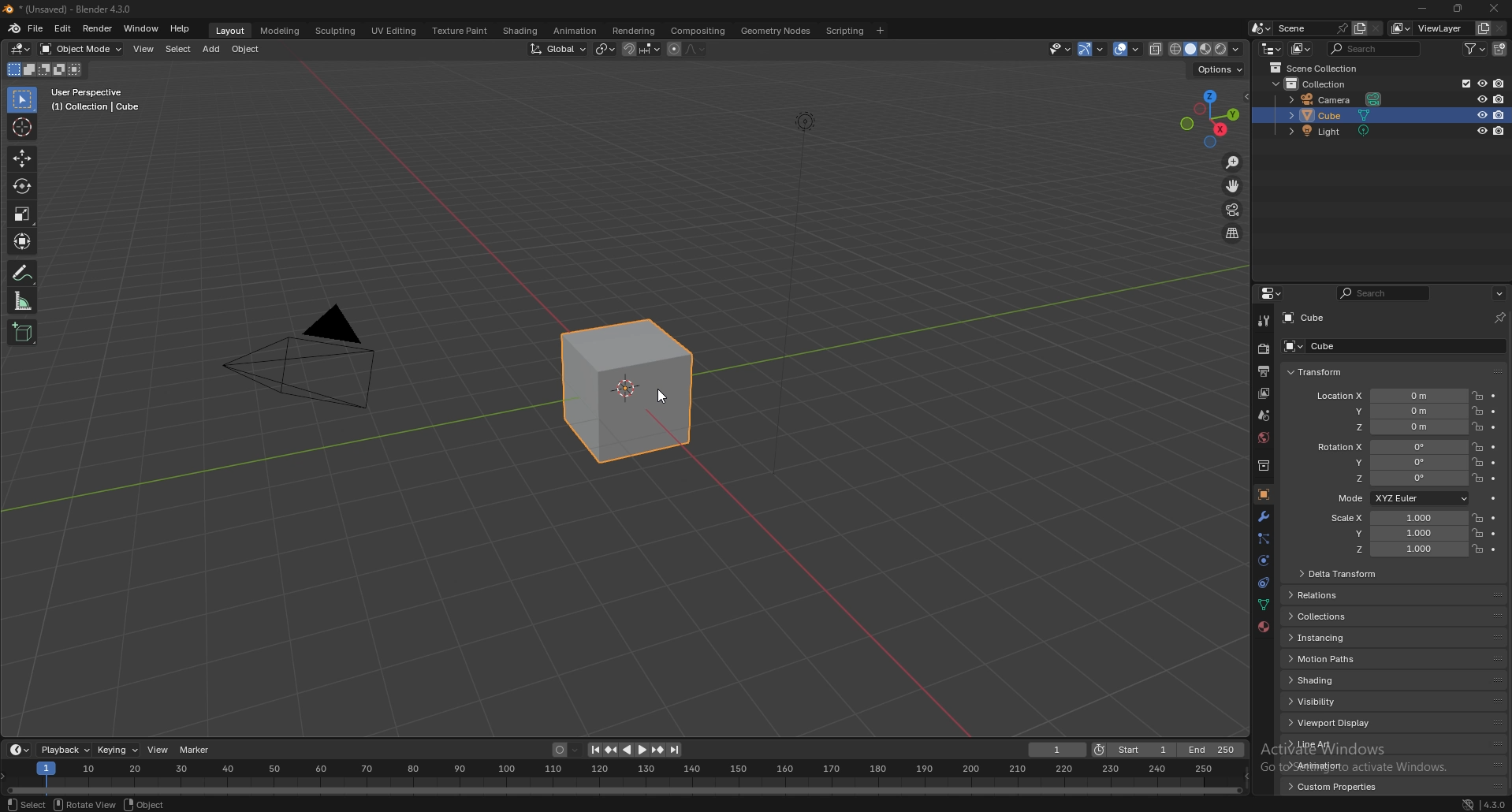 The image size is (1512, 812). What do you see at coordinates (1389, 411) in the screenshot?
I see `location y` at bounding box center [1389, 411].